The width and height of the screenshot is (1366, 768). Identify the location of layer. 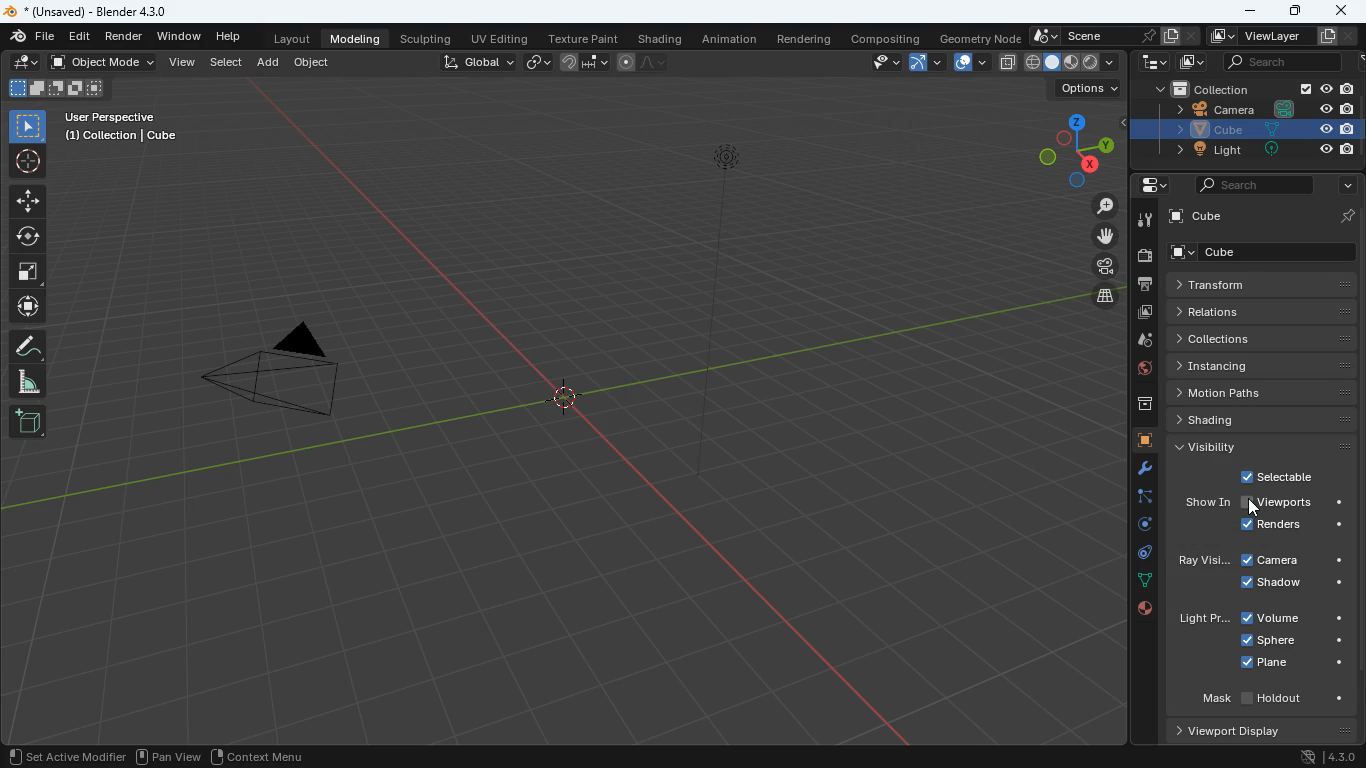
(1007, 63).